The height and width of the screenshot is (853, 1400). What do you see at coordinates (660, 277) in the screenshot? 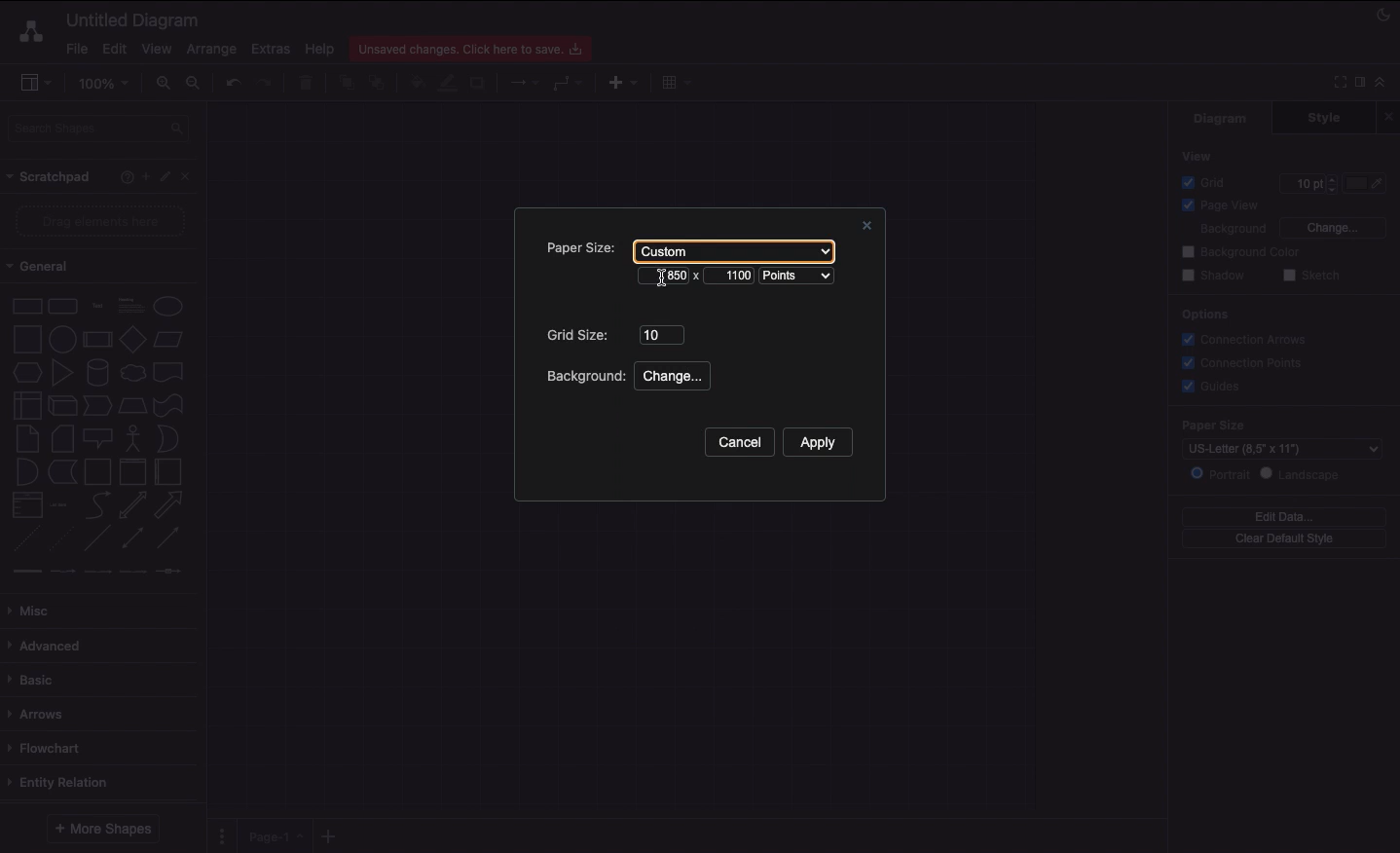
I see `Cursor` at bounding box center [660, 277].